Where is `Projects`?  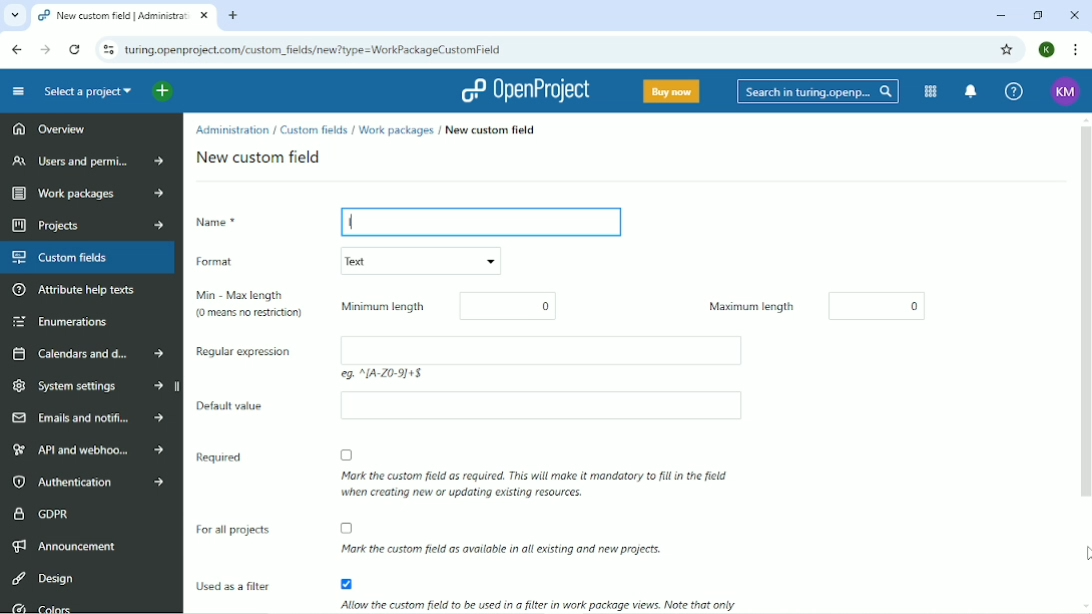 Projects is located at coordinates (85, 225).